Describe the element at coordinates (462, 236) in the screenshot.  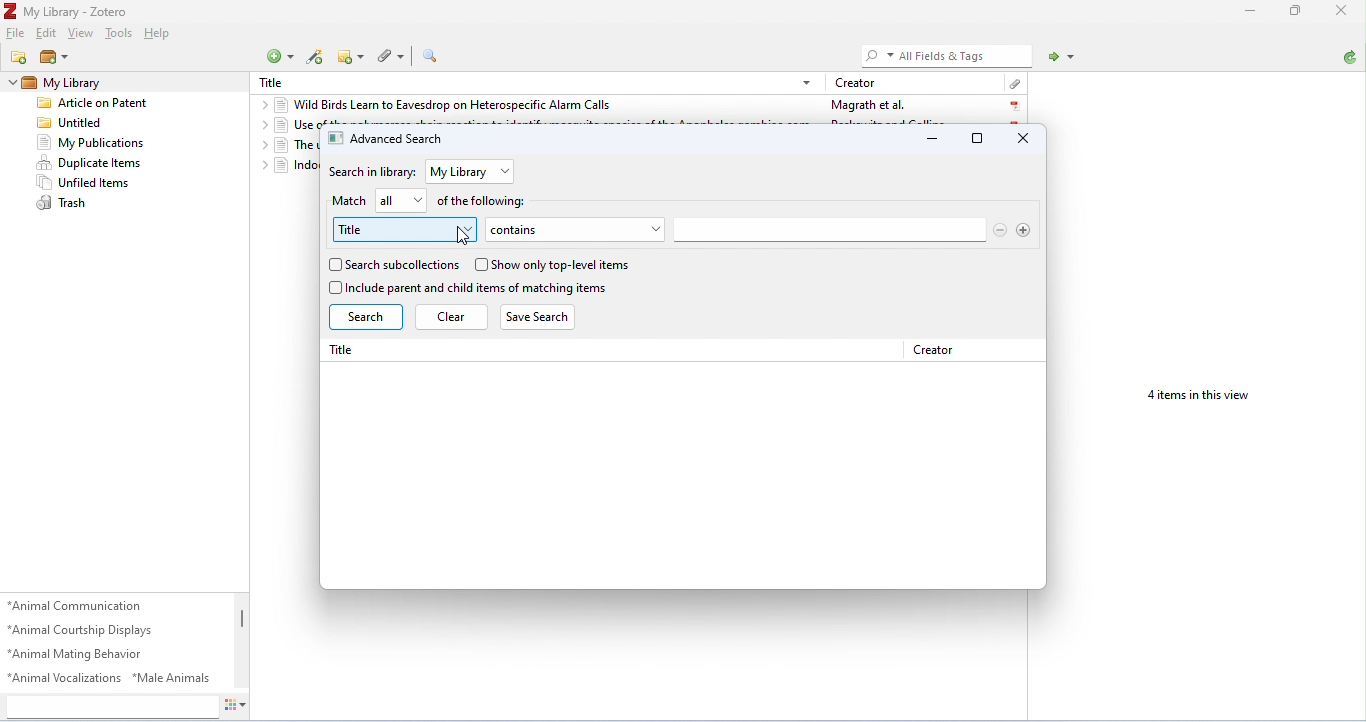
I see `cursor` at that location.